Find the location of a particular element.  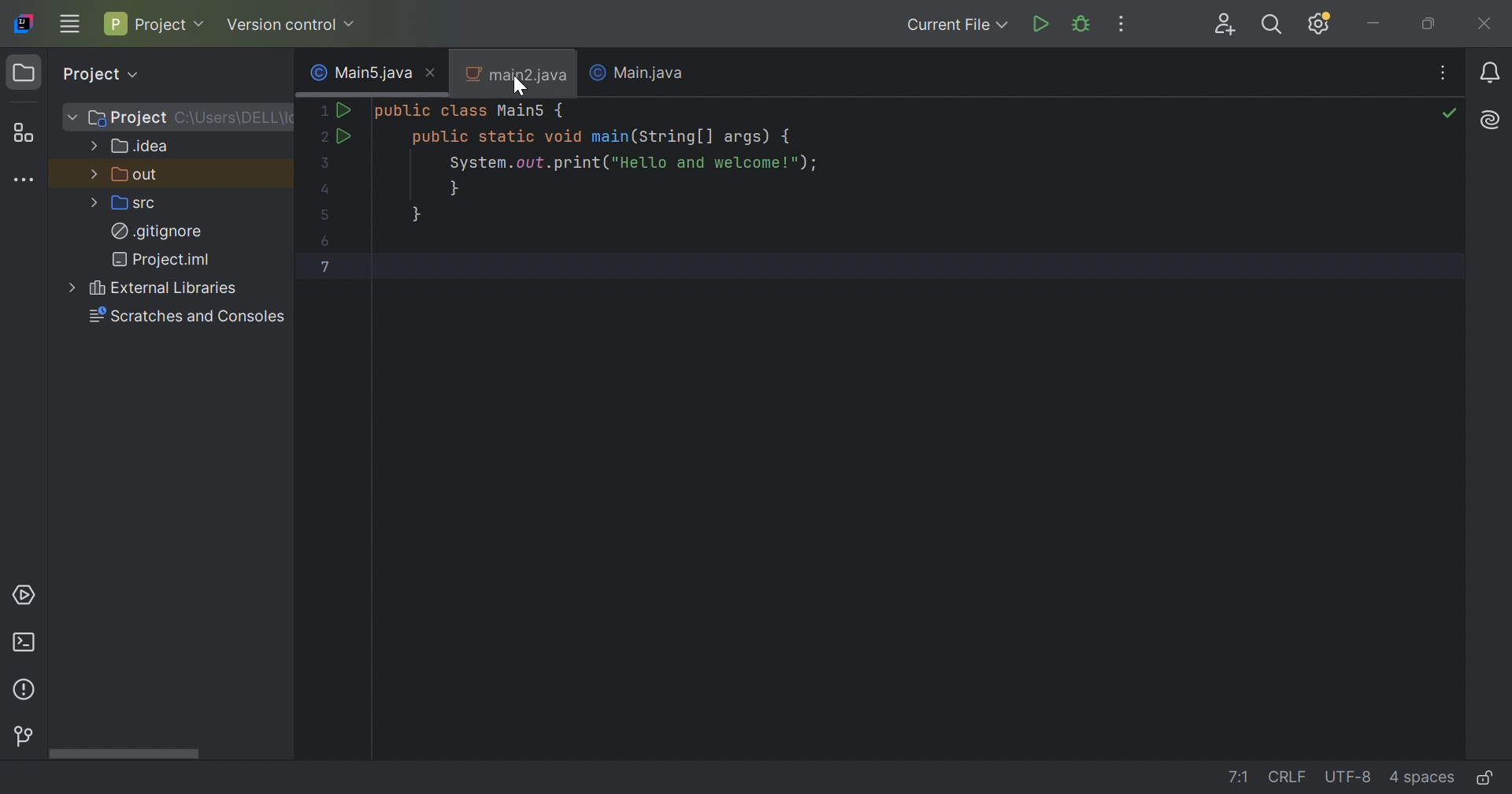

System.out.print("Hello and welcome!"); is located at coordinates (631, 162).